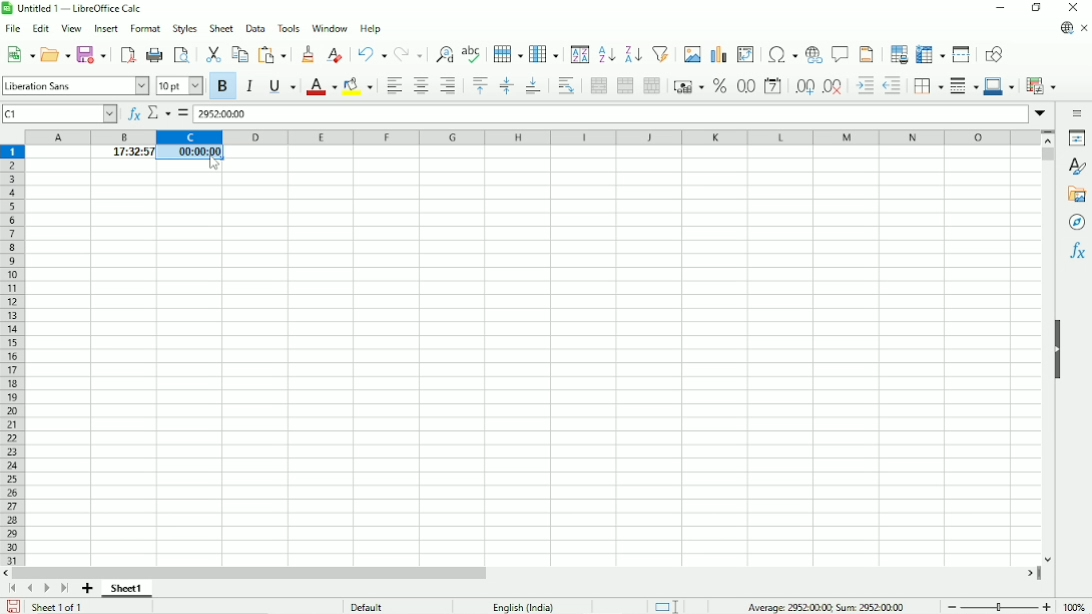 This screenshot has width=1092, height=614. I want to click on Paste, so click(271, 54).